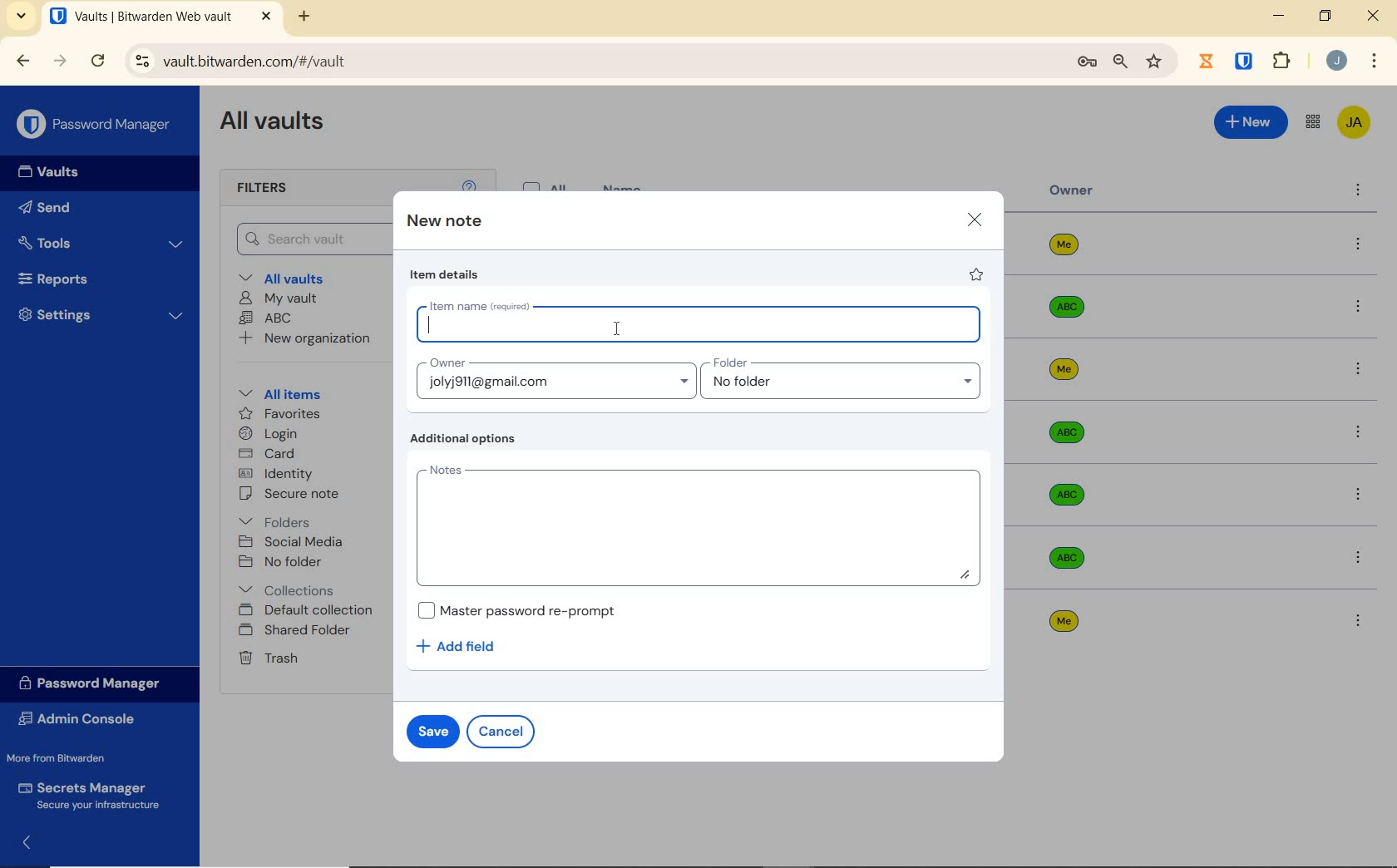 Image resolution: width=1397 pixels, height=868 pixels. I want to click on RESTORE, so click(1325, 18).